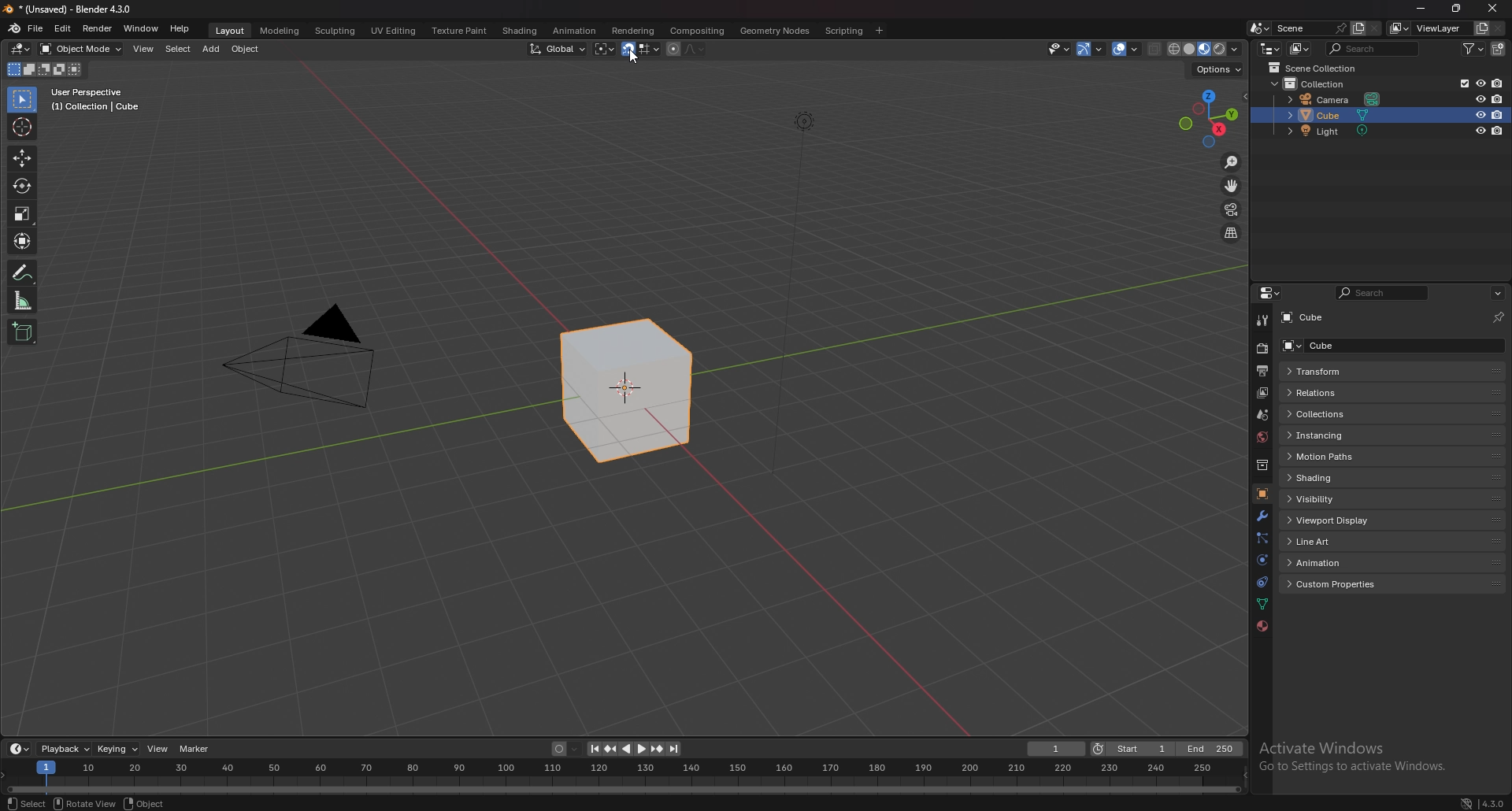  I want to click on uv editing, so click(392, 30).